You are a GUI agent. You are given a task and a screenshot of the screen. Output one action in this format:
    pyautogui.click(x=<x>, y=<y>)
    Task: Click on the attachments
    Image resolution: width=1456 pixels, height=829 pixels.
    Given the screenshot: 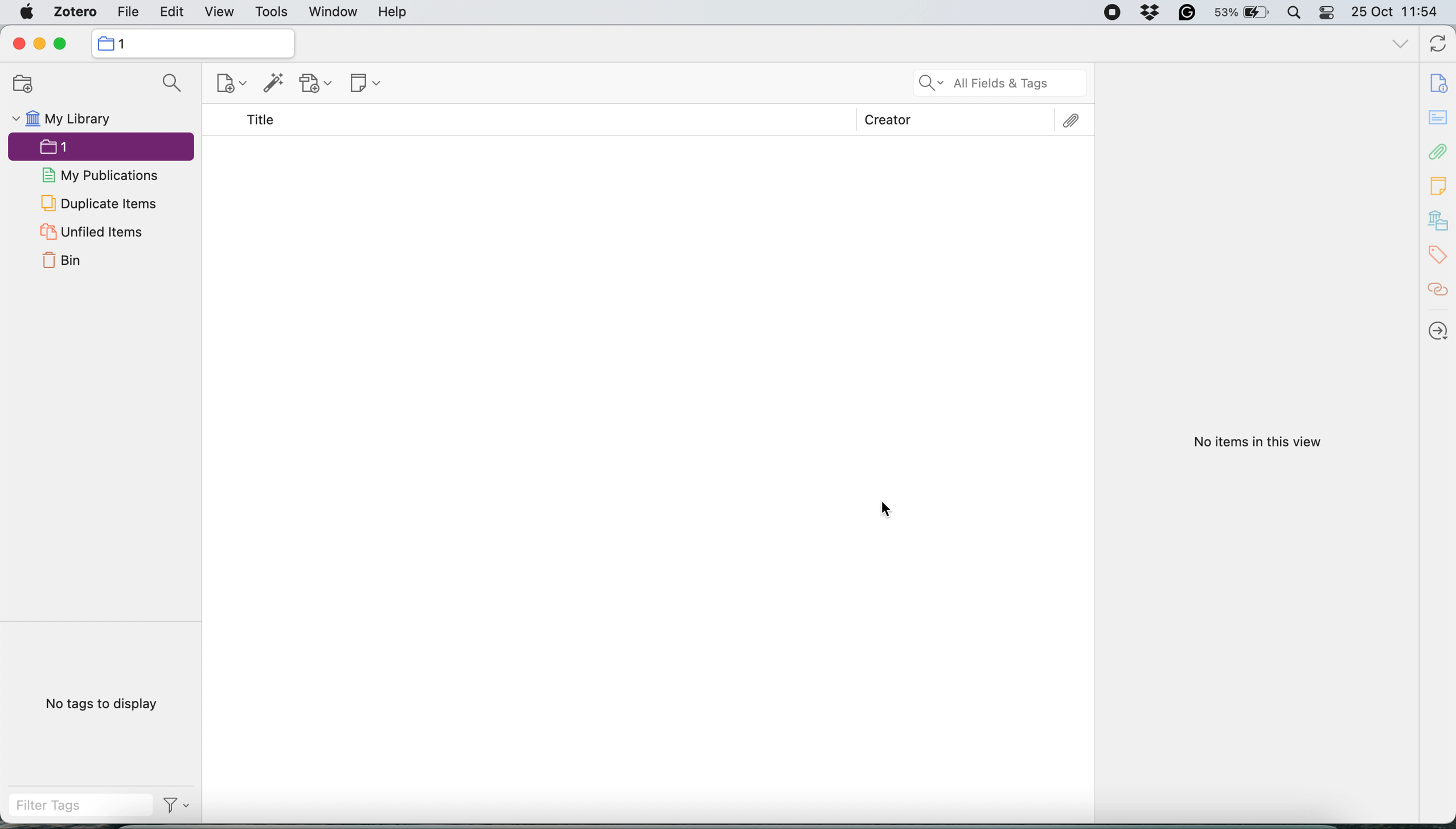 What is the action you would take?
    pyautogui.click(x=1438, y=153)
    